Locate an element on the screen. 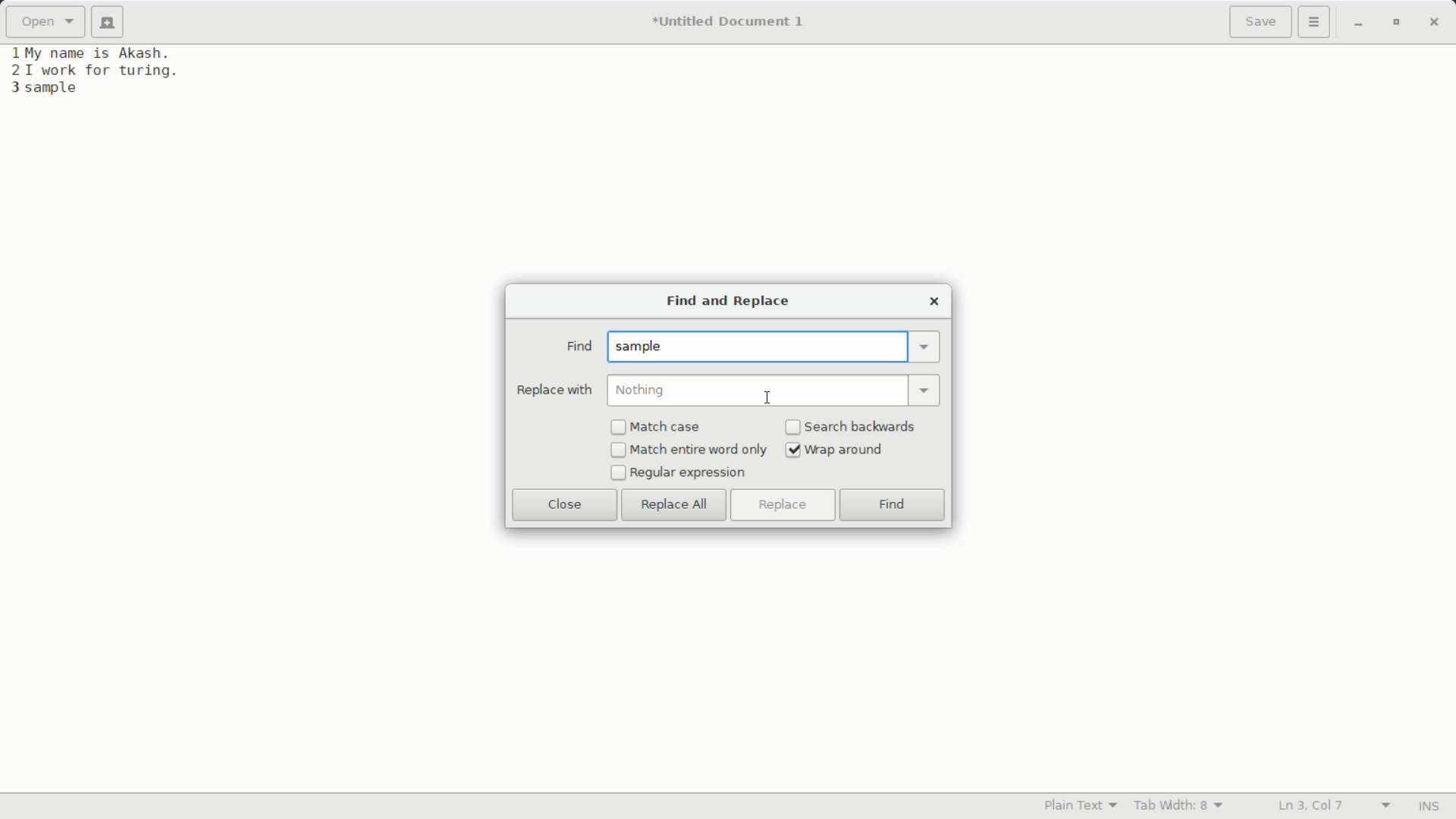 This screenshot has height=819, width=1456. replace all is located at coordinates (674, 506).